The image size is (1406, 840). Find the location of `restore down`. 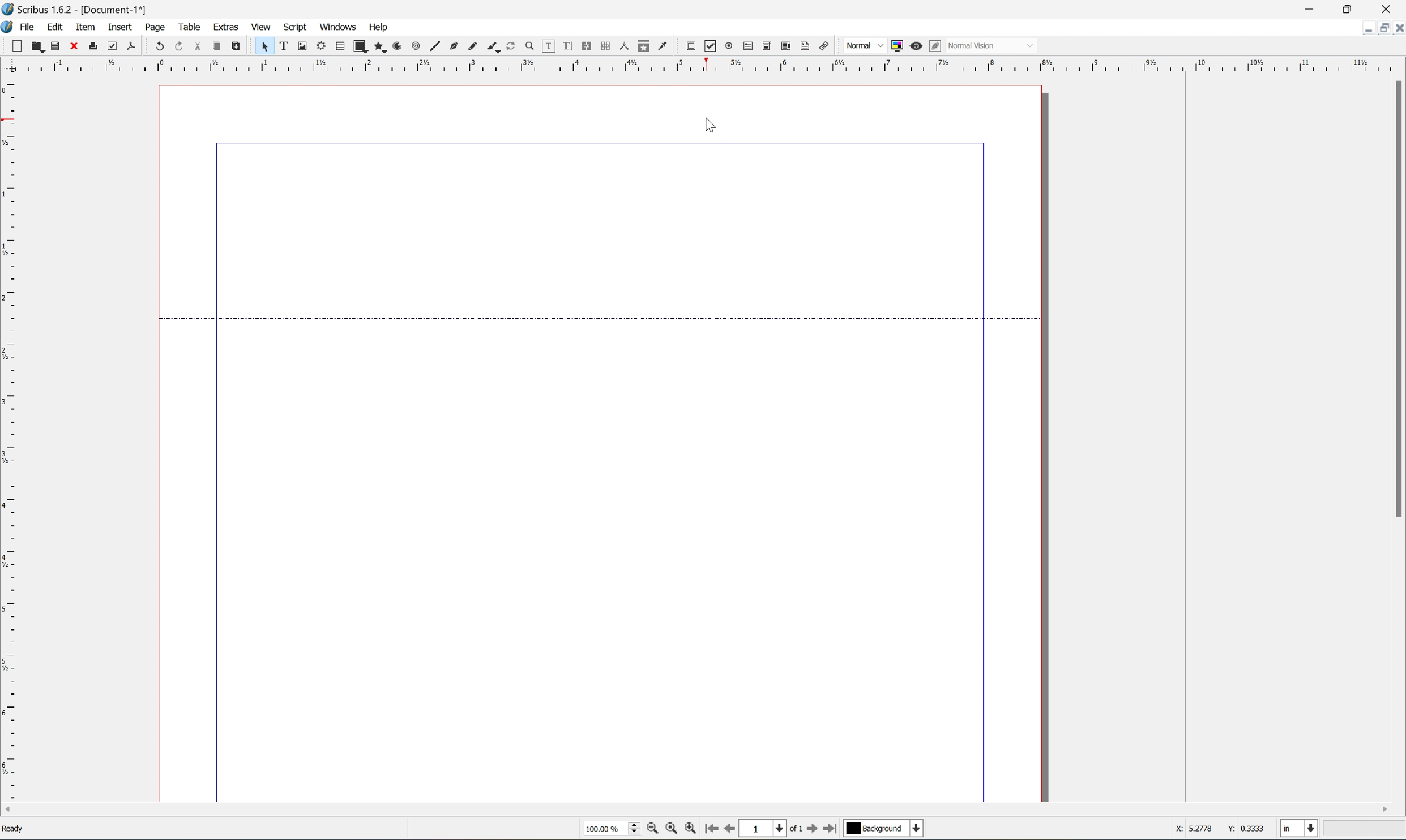

restore down is located at coordinates (1357, 8).